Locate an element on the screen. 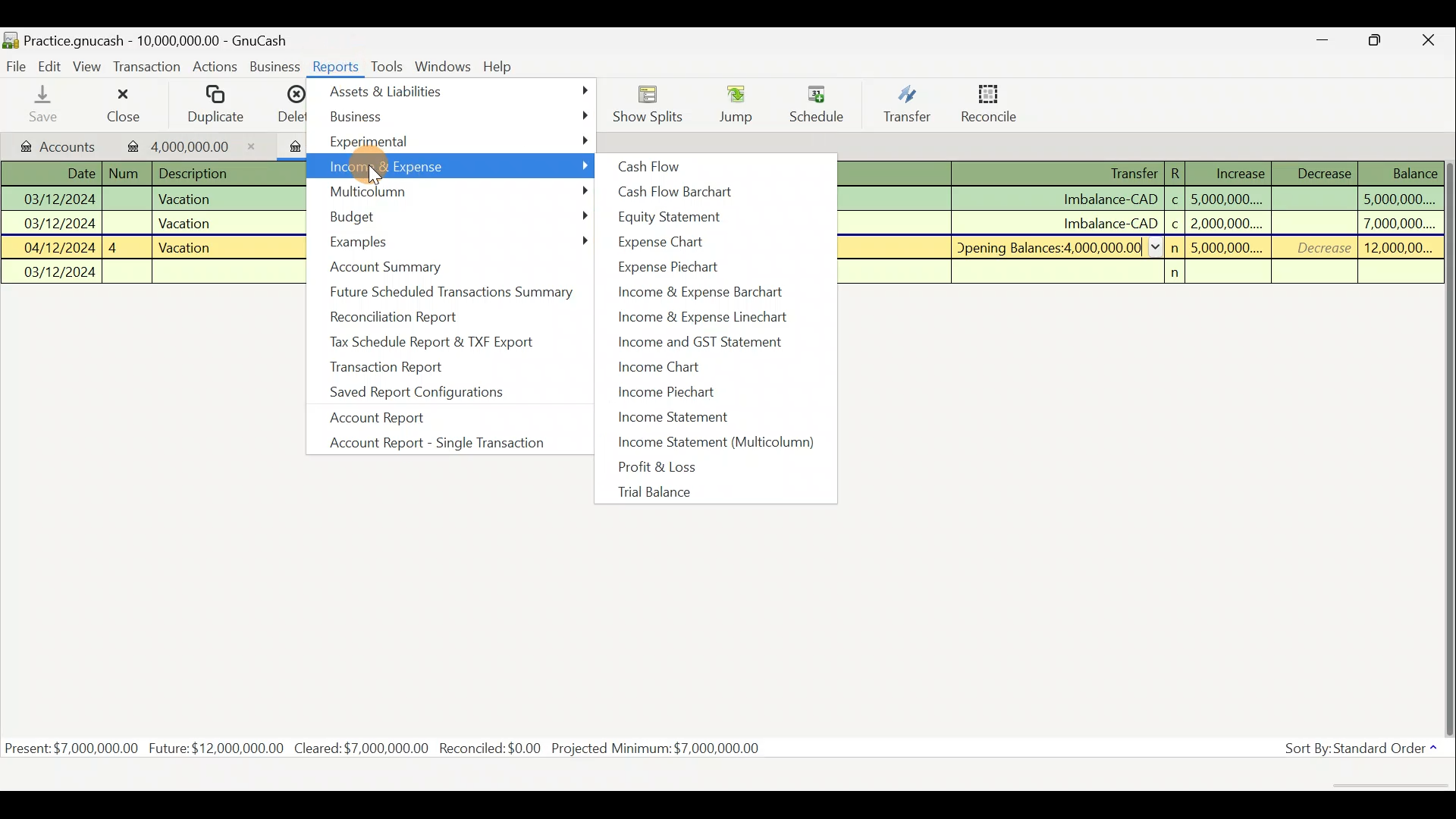 The width and height of the screenshot is (1456, 819). Income statement is located at coordinates (709, 416).